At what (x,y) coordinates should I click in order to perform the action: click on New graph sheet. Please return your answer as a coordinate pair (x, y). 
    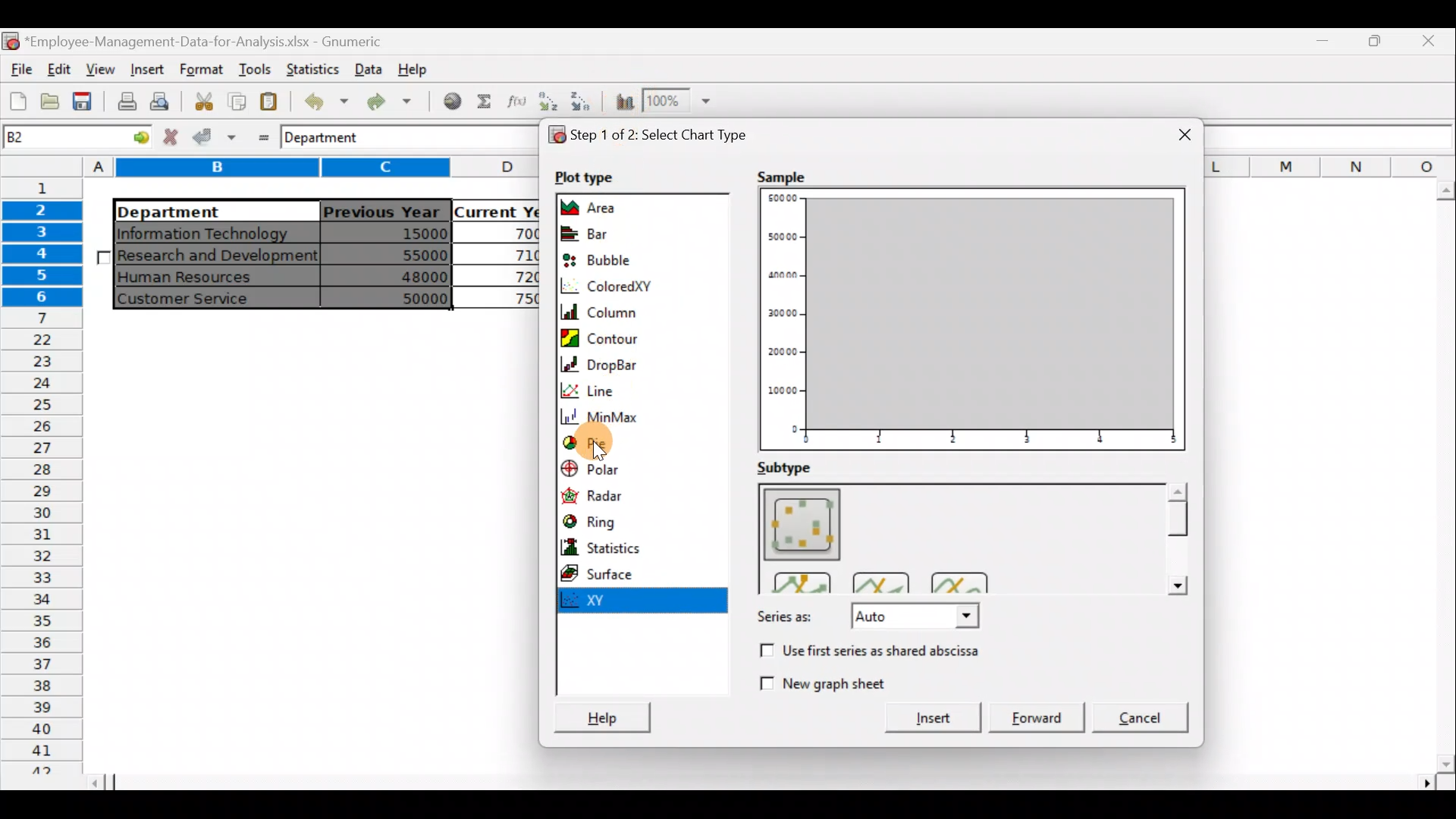
    Looking at the image, I should click on (821, 681).